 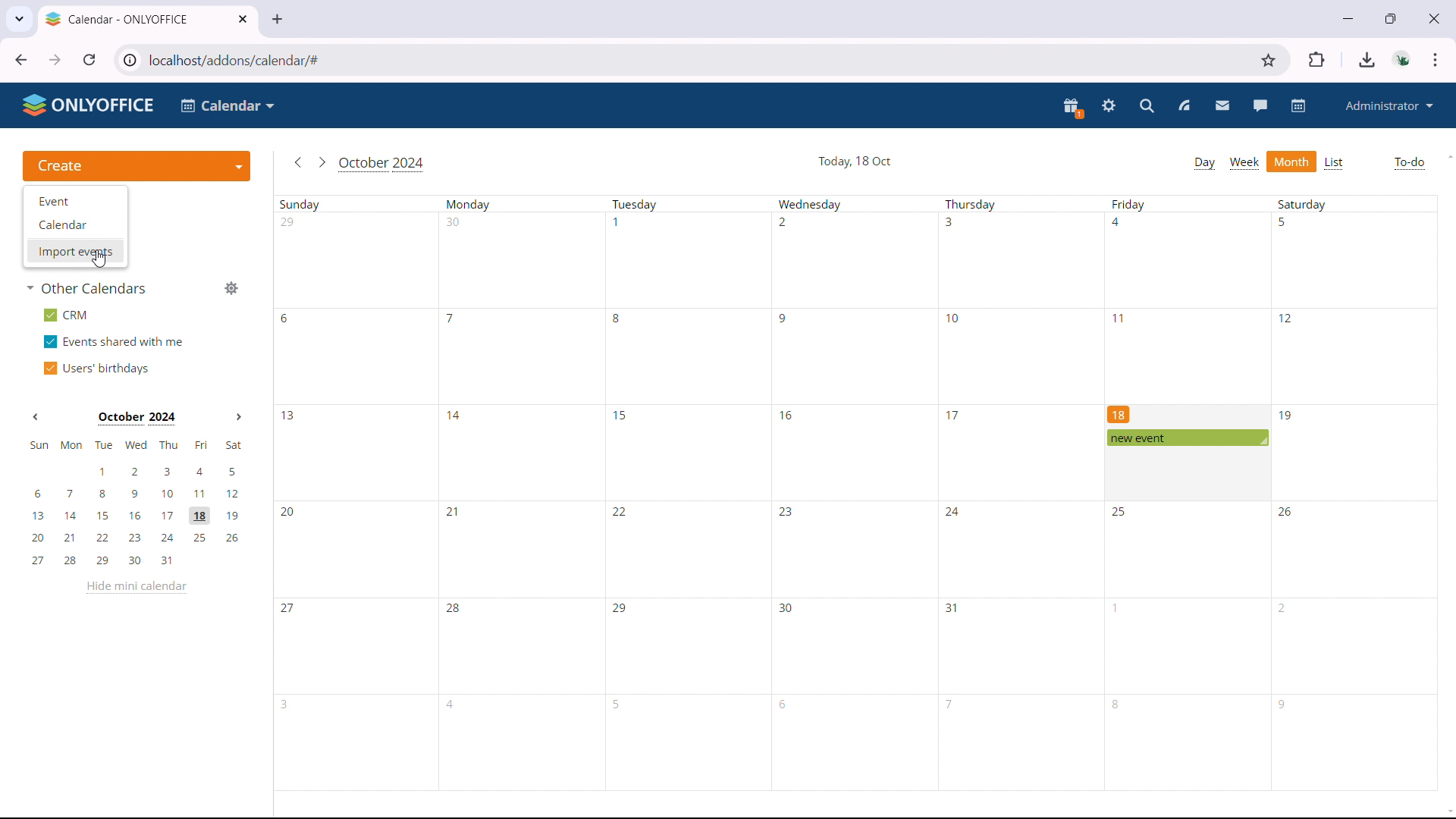 I want to click on 11, so click(x=1122, y=318).